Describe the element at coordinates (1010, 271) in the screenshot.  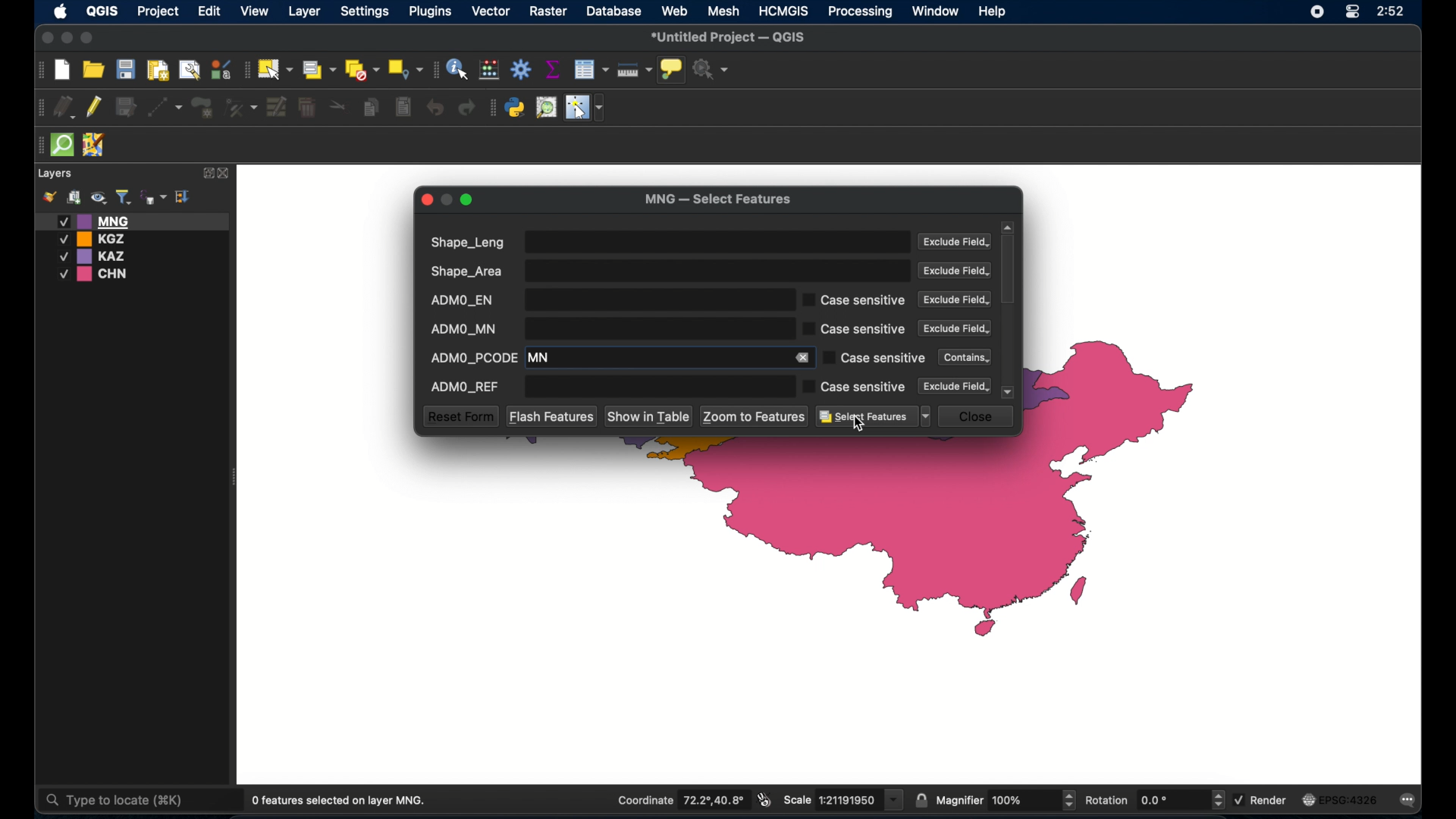
I see `scroll box` at that location.